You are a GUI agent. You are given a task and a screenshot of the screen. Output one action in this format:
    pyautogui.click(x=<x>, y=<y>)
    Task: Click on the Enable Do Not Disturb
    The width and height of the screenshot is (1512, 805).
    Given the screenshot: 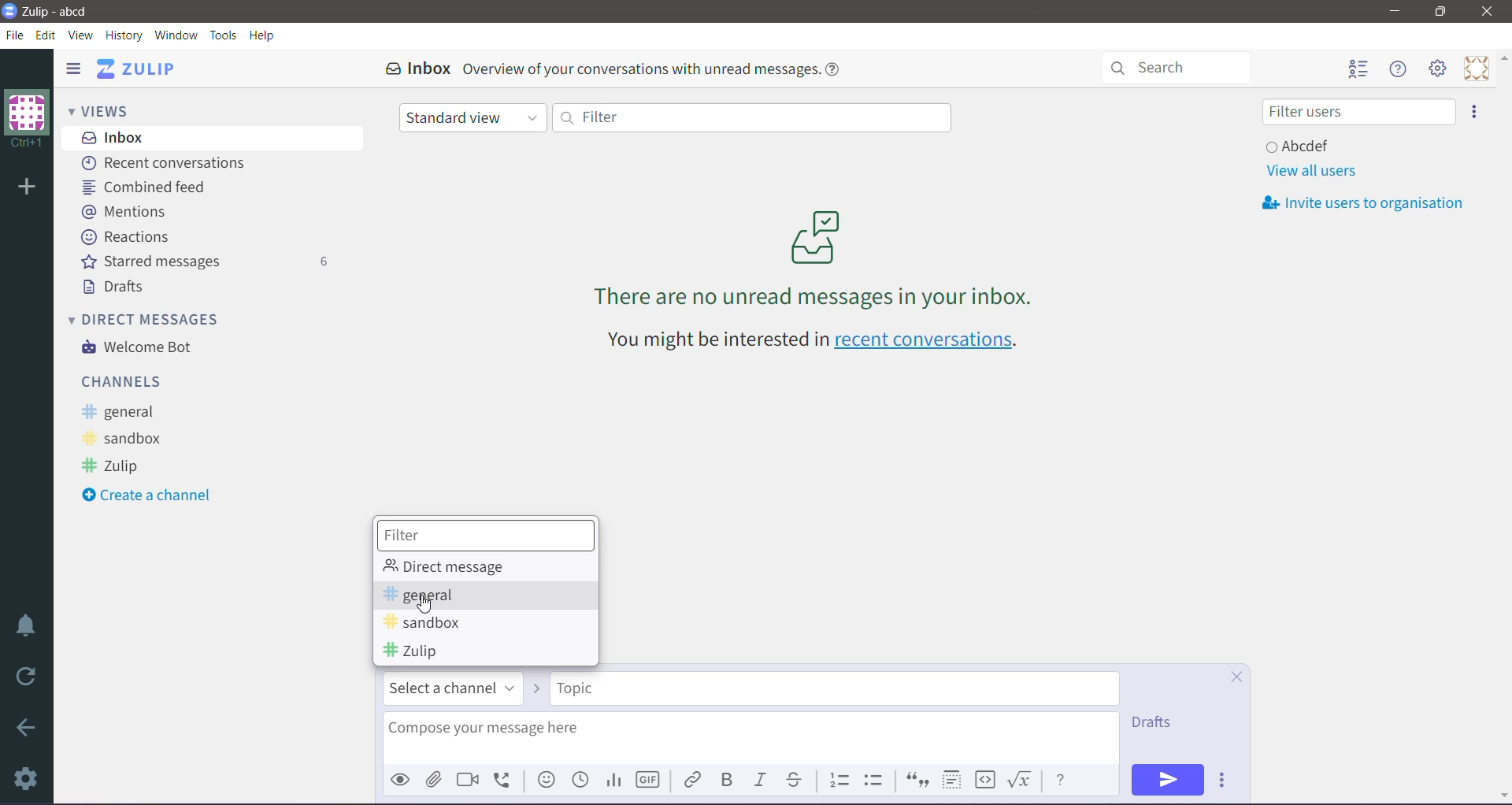 What is the action you would take?
    pyautogui.click(x=27, y=625)
    